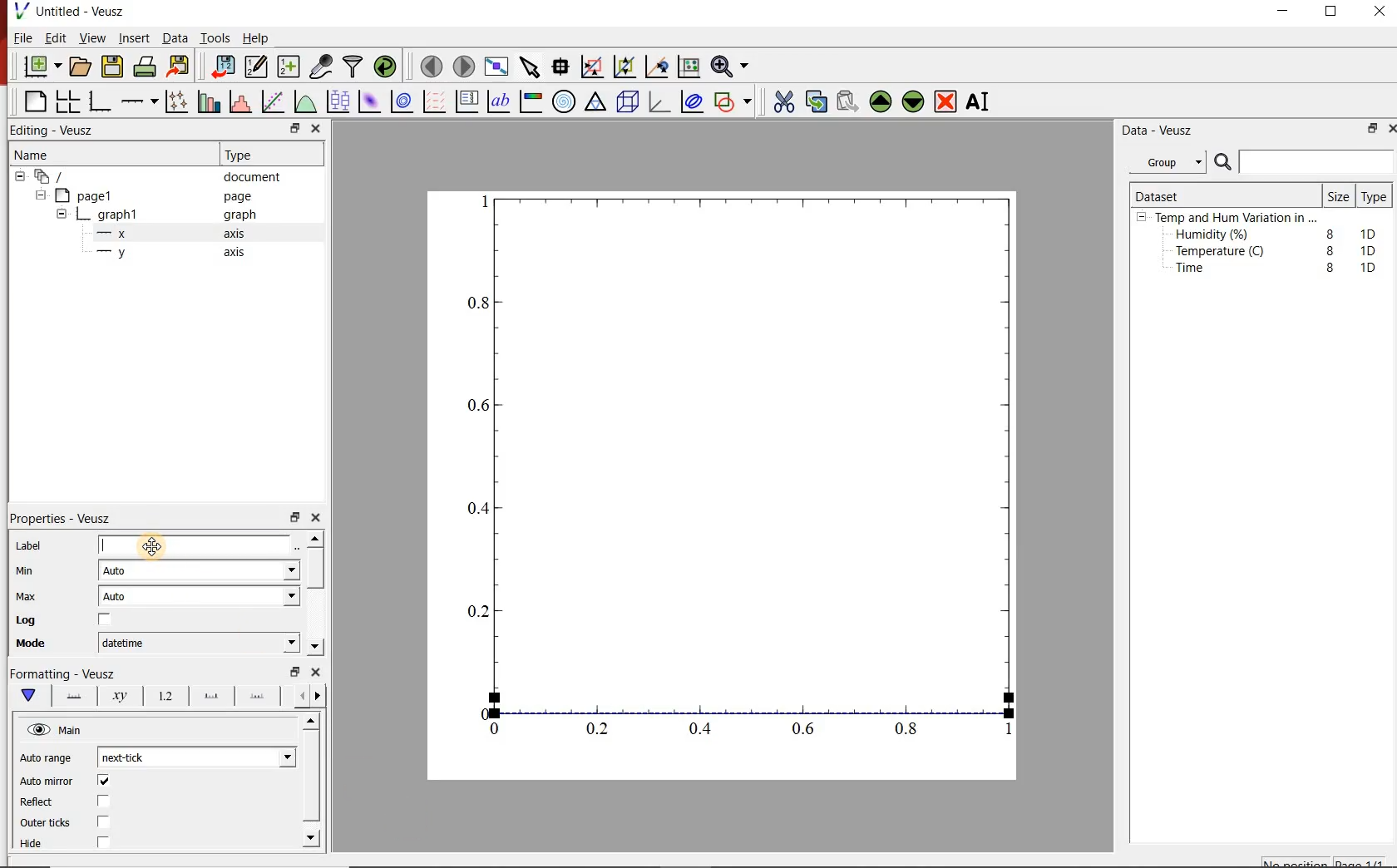 This screenshot has height=868, width=1397. Describe the element at coordinates (1223, 253) in the screenshot. I see `Temperature (C)` at that location.